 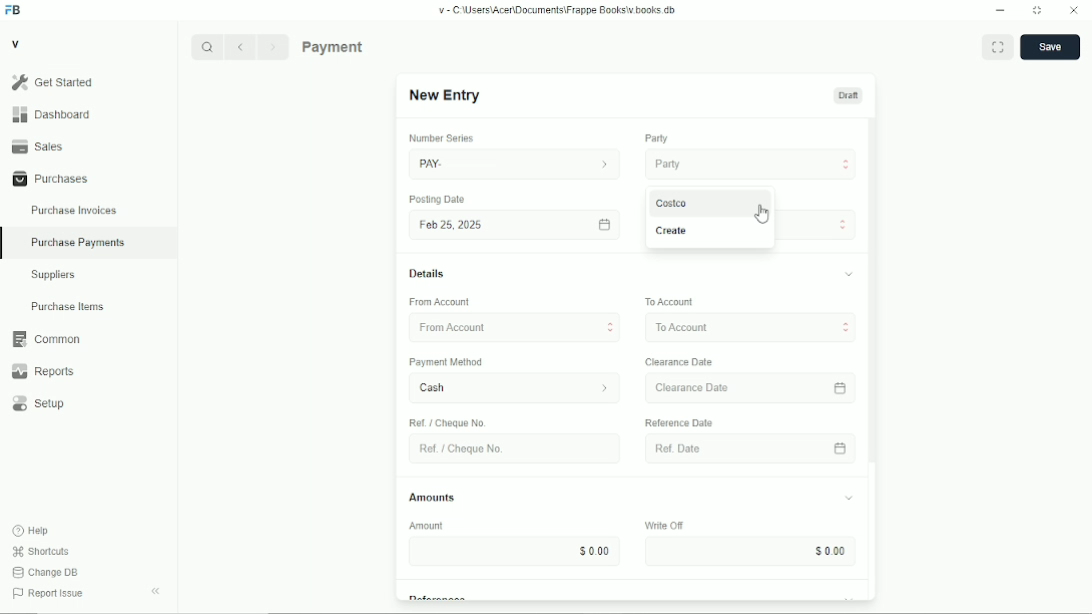 I want to click on Write OF, so click(x=659, y=524).